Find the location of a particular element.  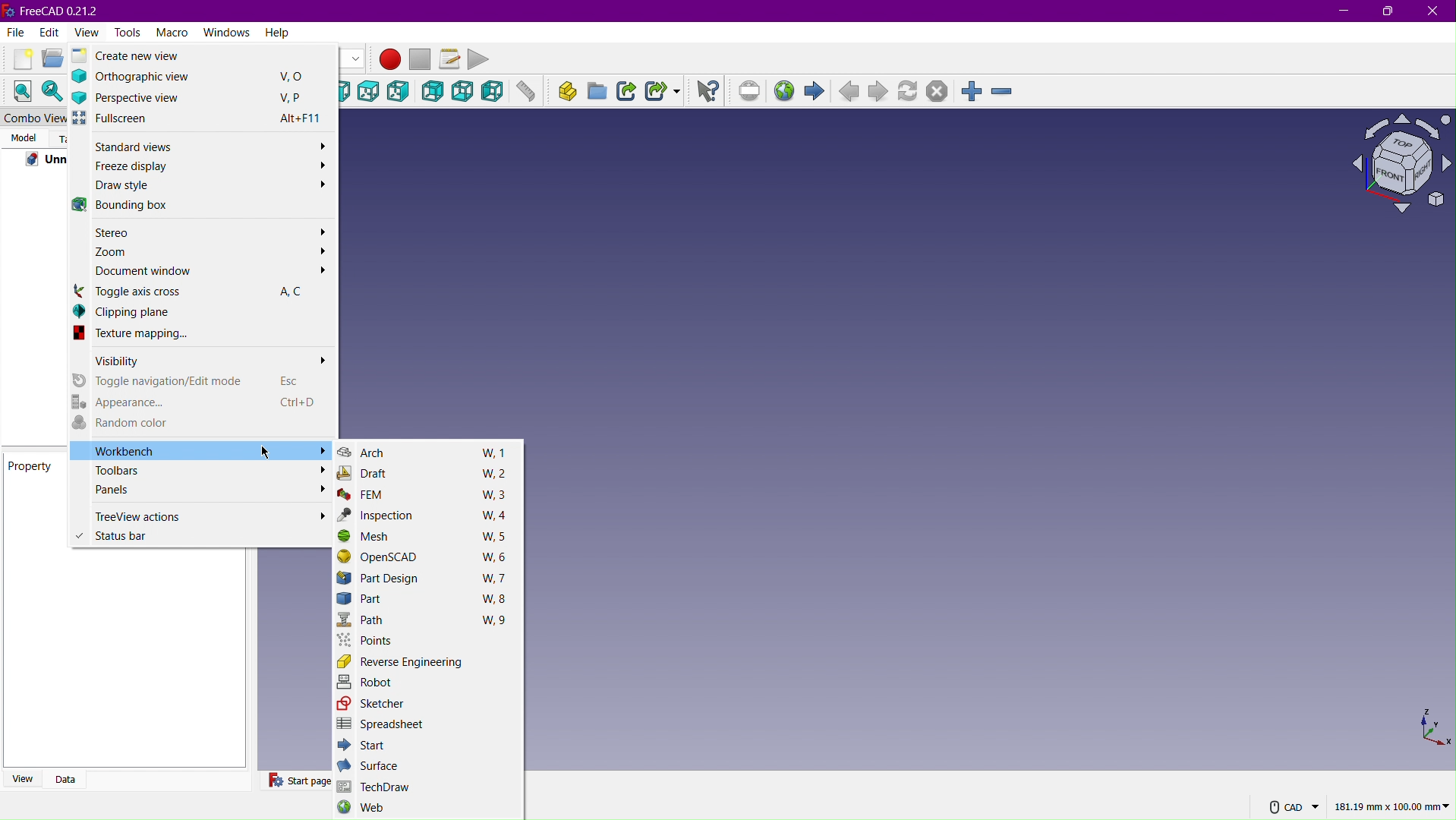

Mesh W, 5 is located at coordinates (431, 538).